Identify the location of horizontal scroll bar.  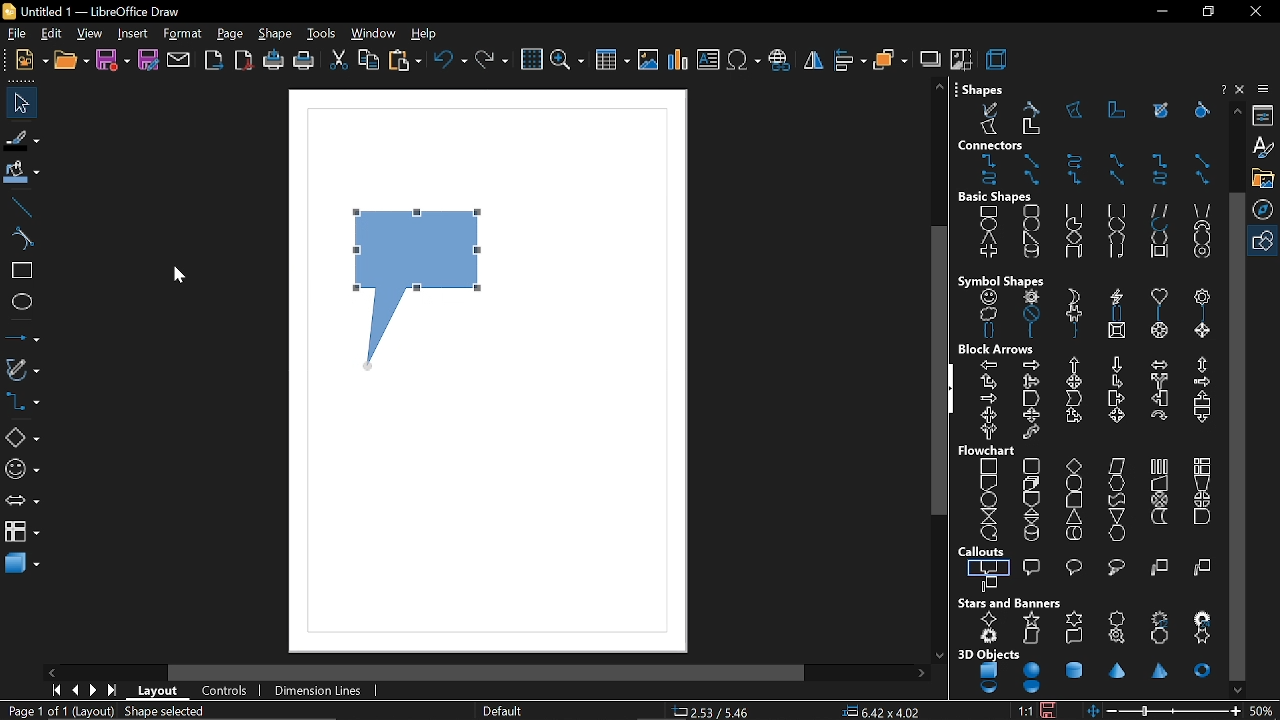
(487, 672).